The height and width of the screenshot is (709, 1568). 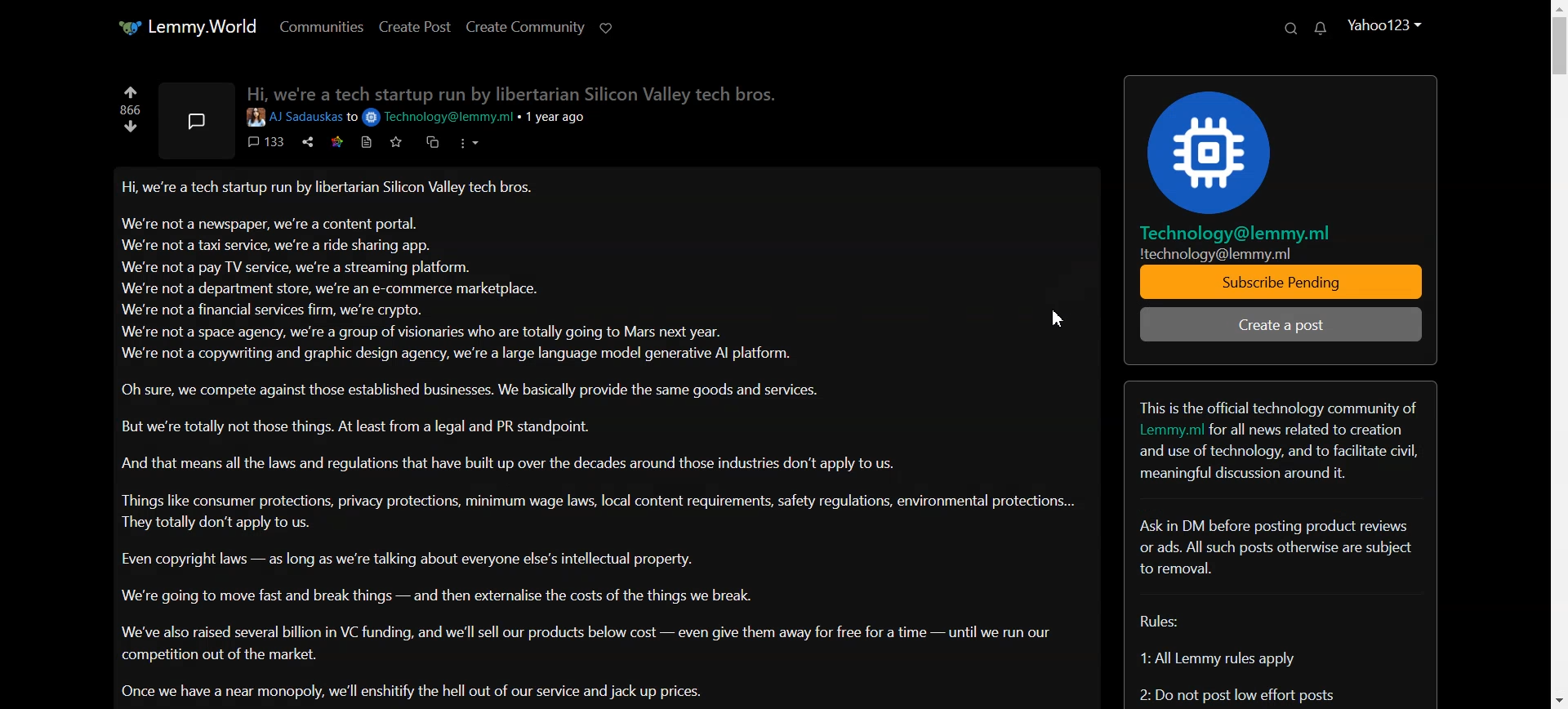 I want to click on Save, so click(x=394, y=142).